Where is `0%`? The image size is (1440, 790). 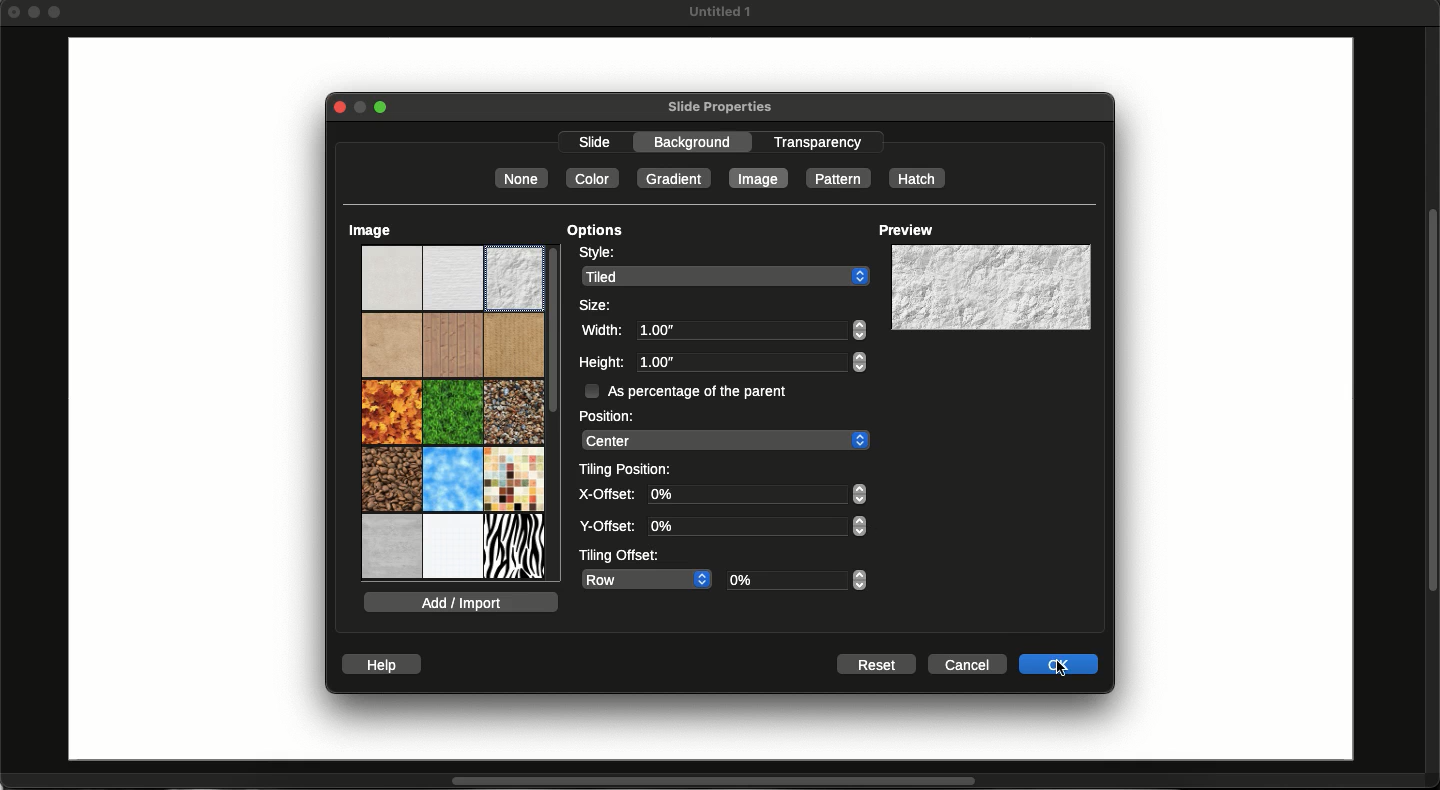 0% is located at coordinates (757, 526).